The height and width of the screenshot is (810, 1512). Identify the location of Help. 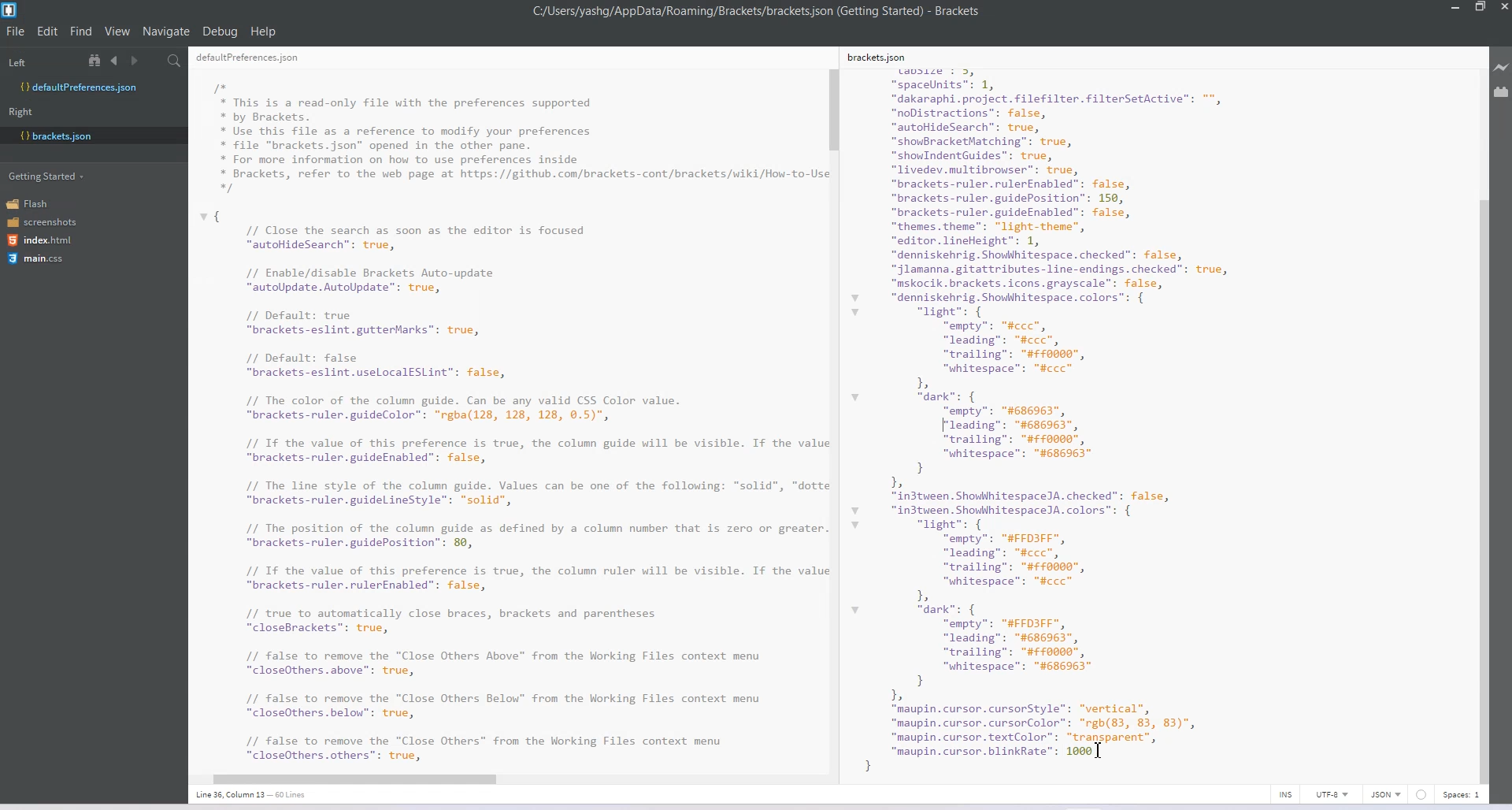
(264, 32).